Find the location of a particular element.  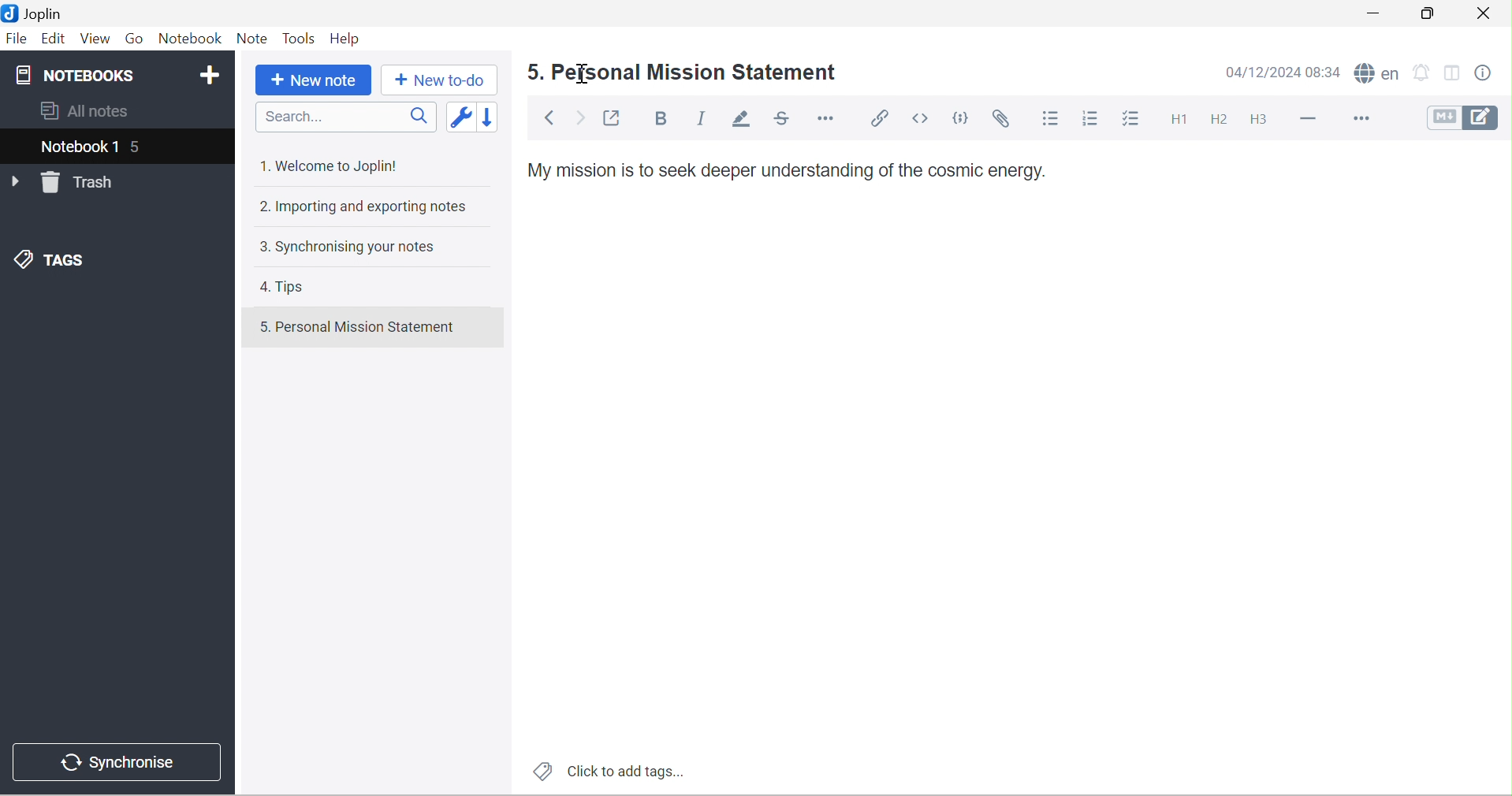

Search is located at coordinates (345, 117).